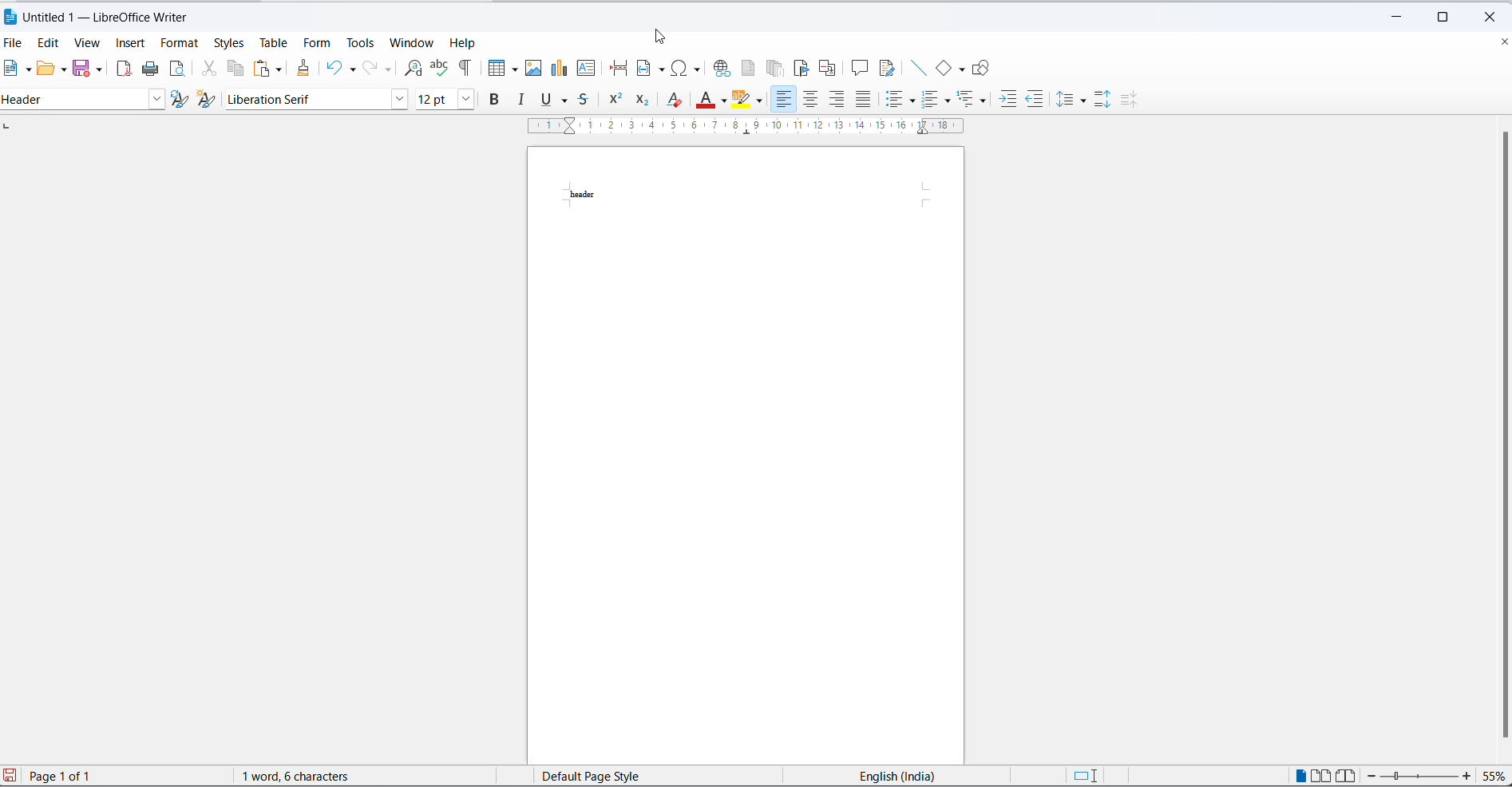 The image size is (1512, 787). What do you see at coordinates (493, 68) in the screenshot?
I see `insert table` at bounding box center [493, 68].